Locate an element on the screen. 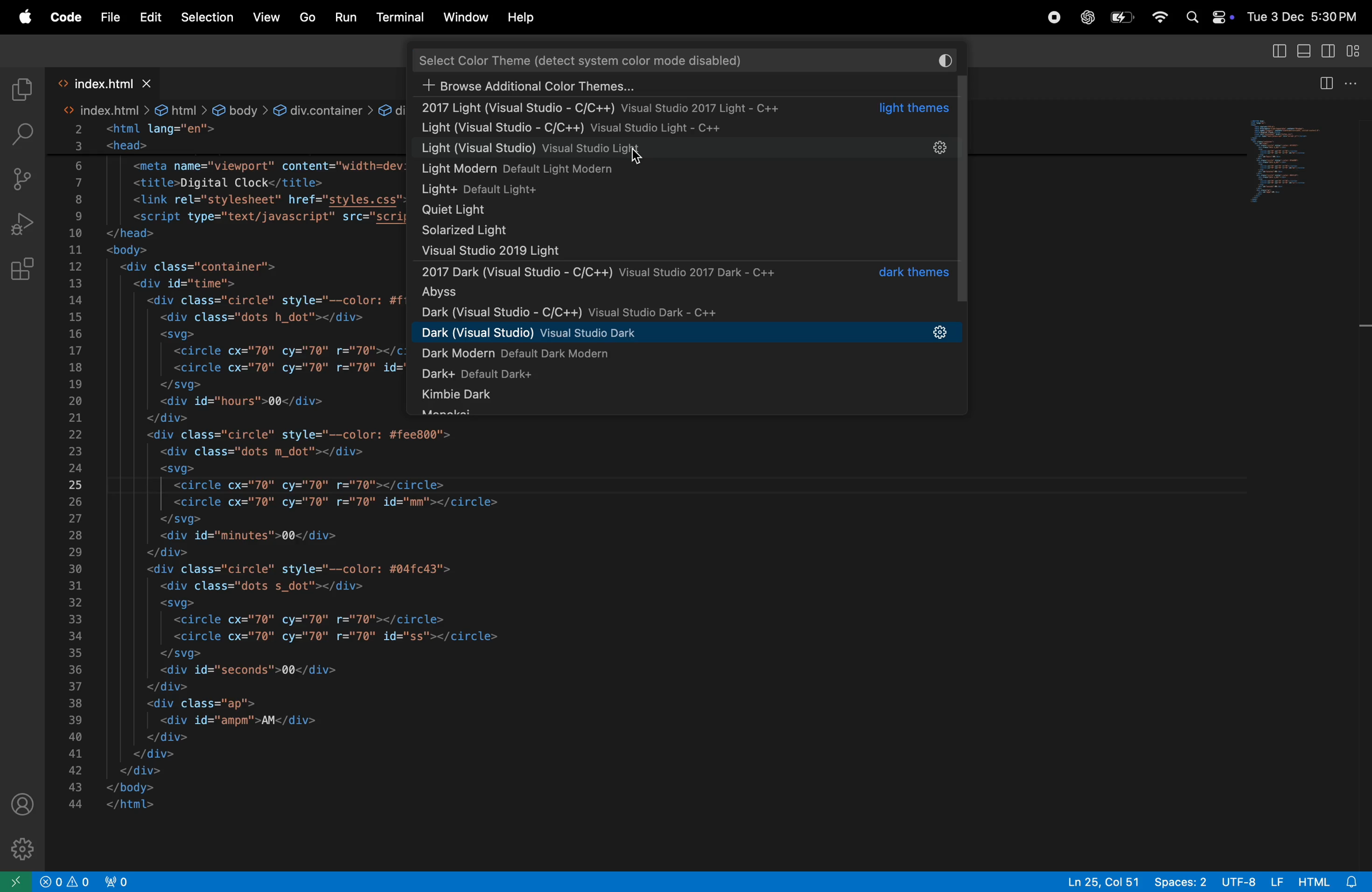 Image resolution: width=1372 pixels, height=892 pixels. view is located at coordinates (265, 18).